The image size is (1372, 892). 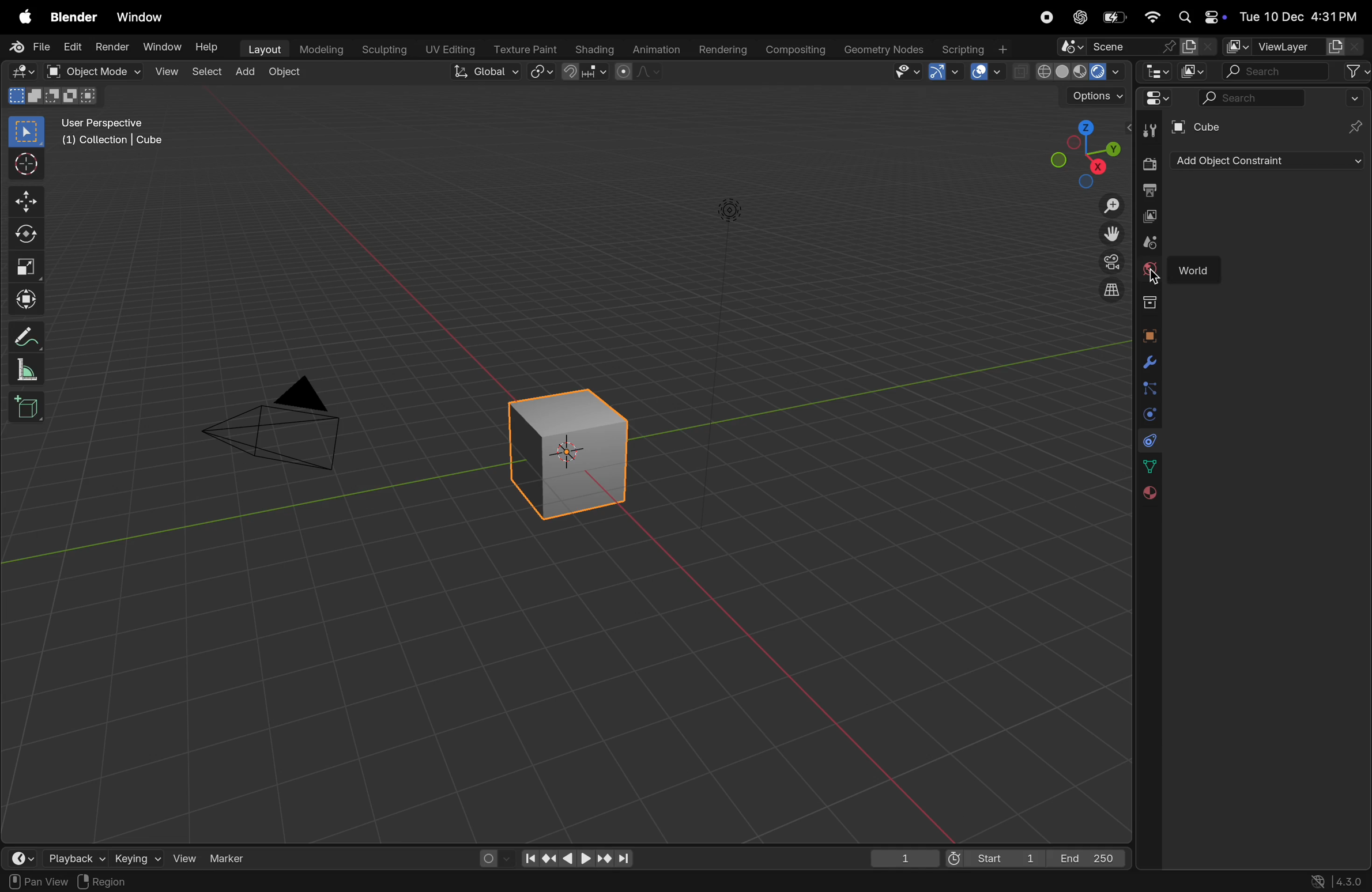 I want to click on Modelling, so click(x=316, y=50).